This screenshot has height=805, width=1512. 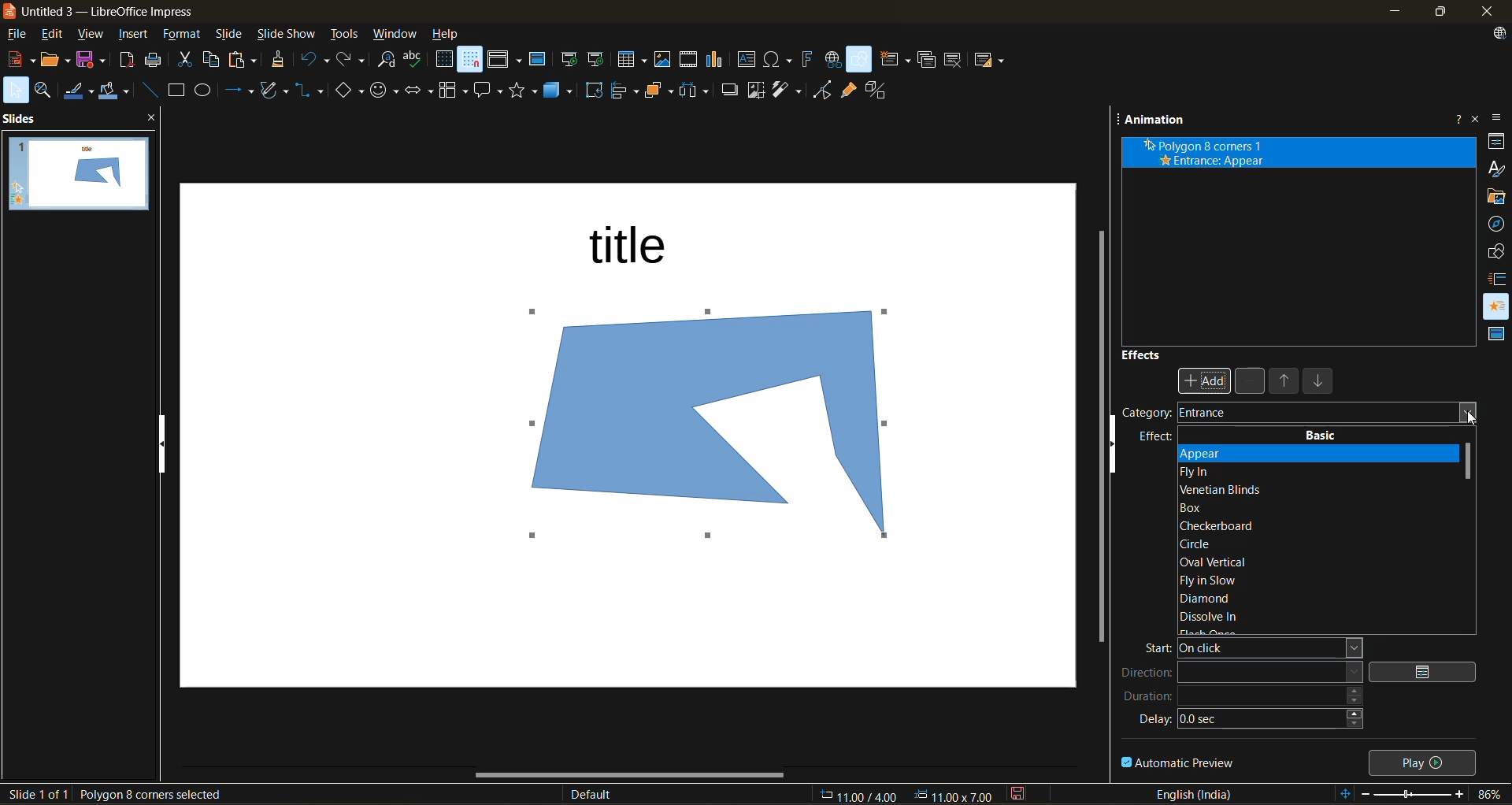 What do you see at coordinates (24, 118) in the screenshot?
I see `slides` at bounding box center [24, 118].